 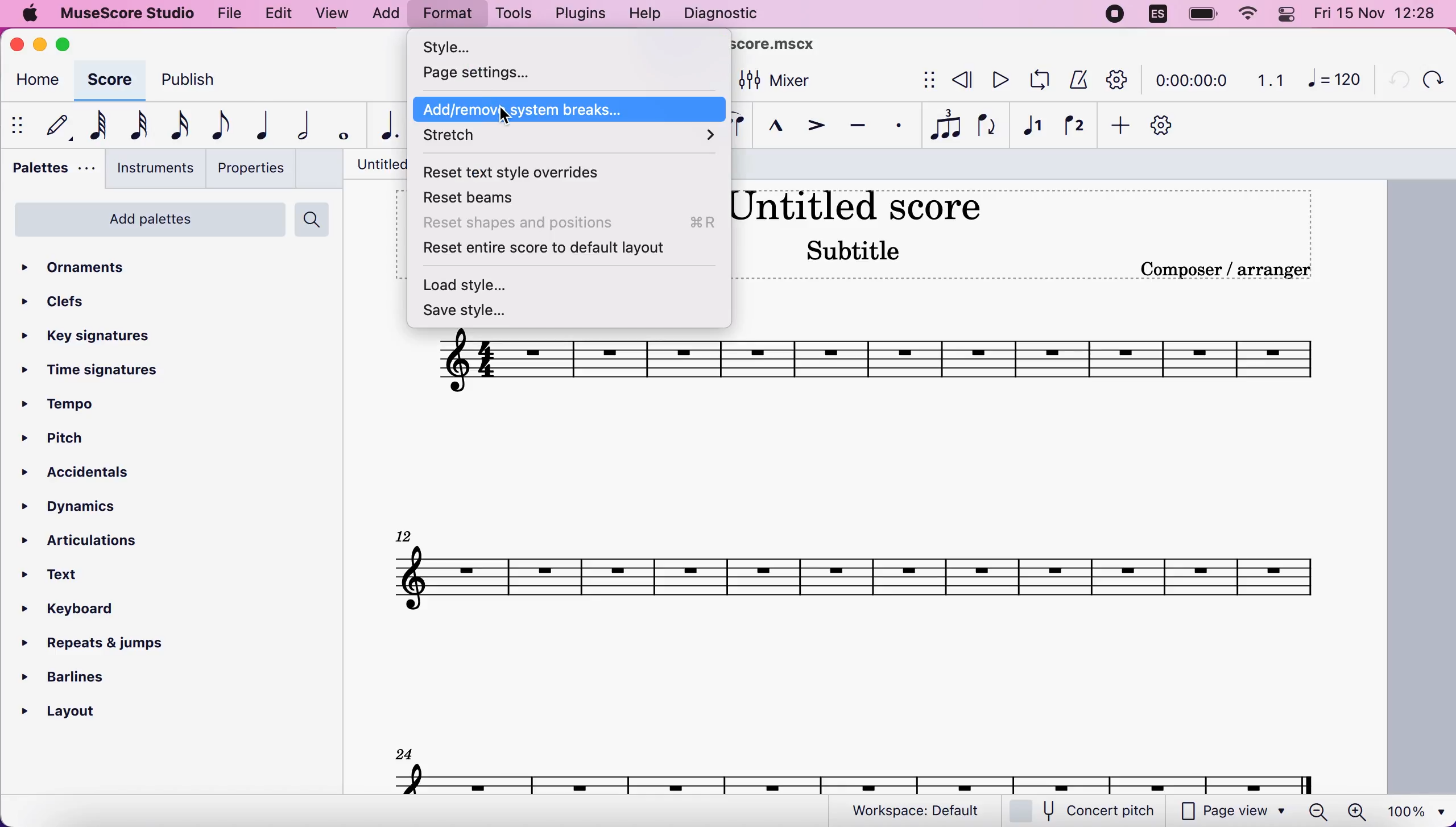 What do you see at coordinates (1413, 810) in the screenshot?
I see `100%` at bounding box center [1413, 810].